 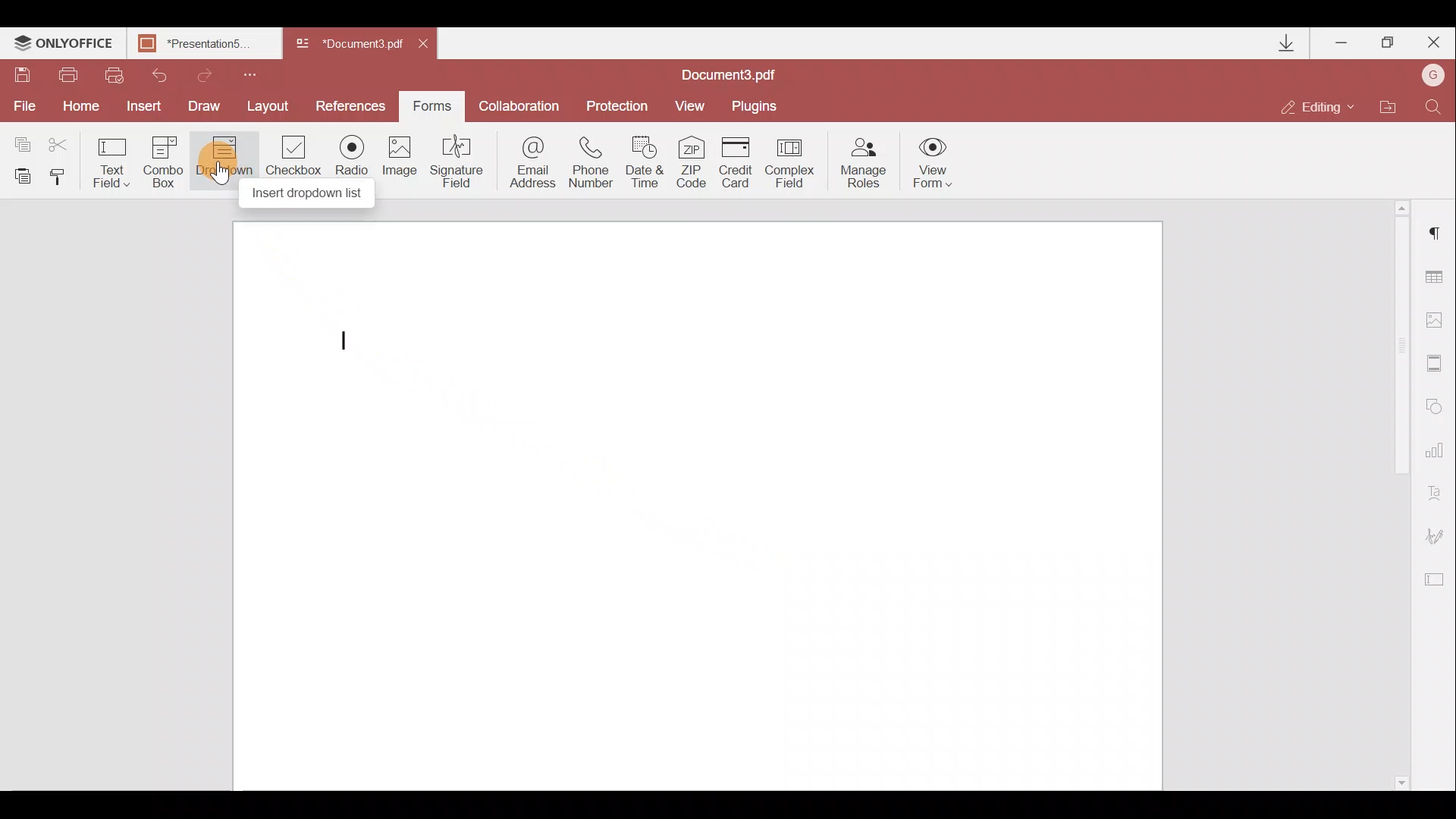 What do you see at coordinates (1289, 43) in the screenshot?
I see `Downloads` at bounding box center [1289, 43].